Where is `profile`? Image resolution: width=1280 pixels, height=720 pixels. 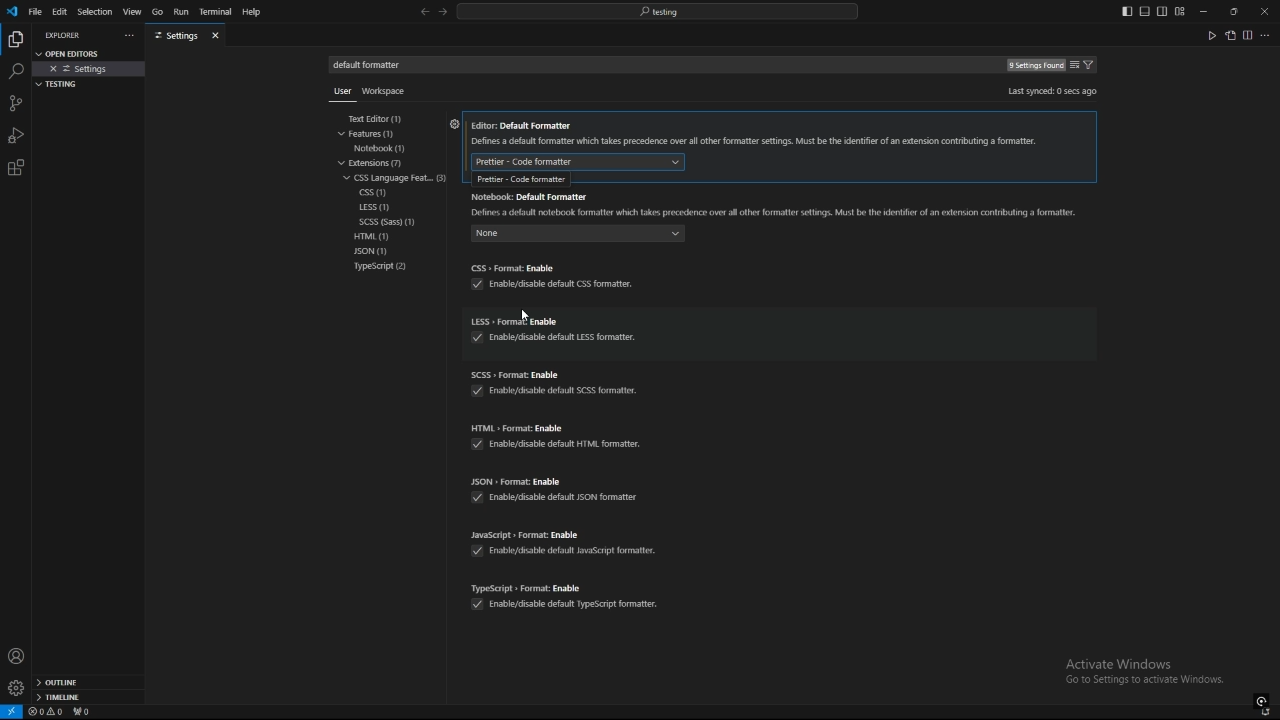 profile is located at coordinates (16, 656).